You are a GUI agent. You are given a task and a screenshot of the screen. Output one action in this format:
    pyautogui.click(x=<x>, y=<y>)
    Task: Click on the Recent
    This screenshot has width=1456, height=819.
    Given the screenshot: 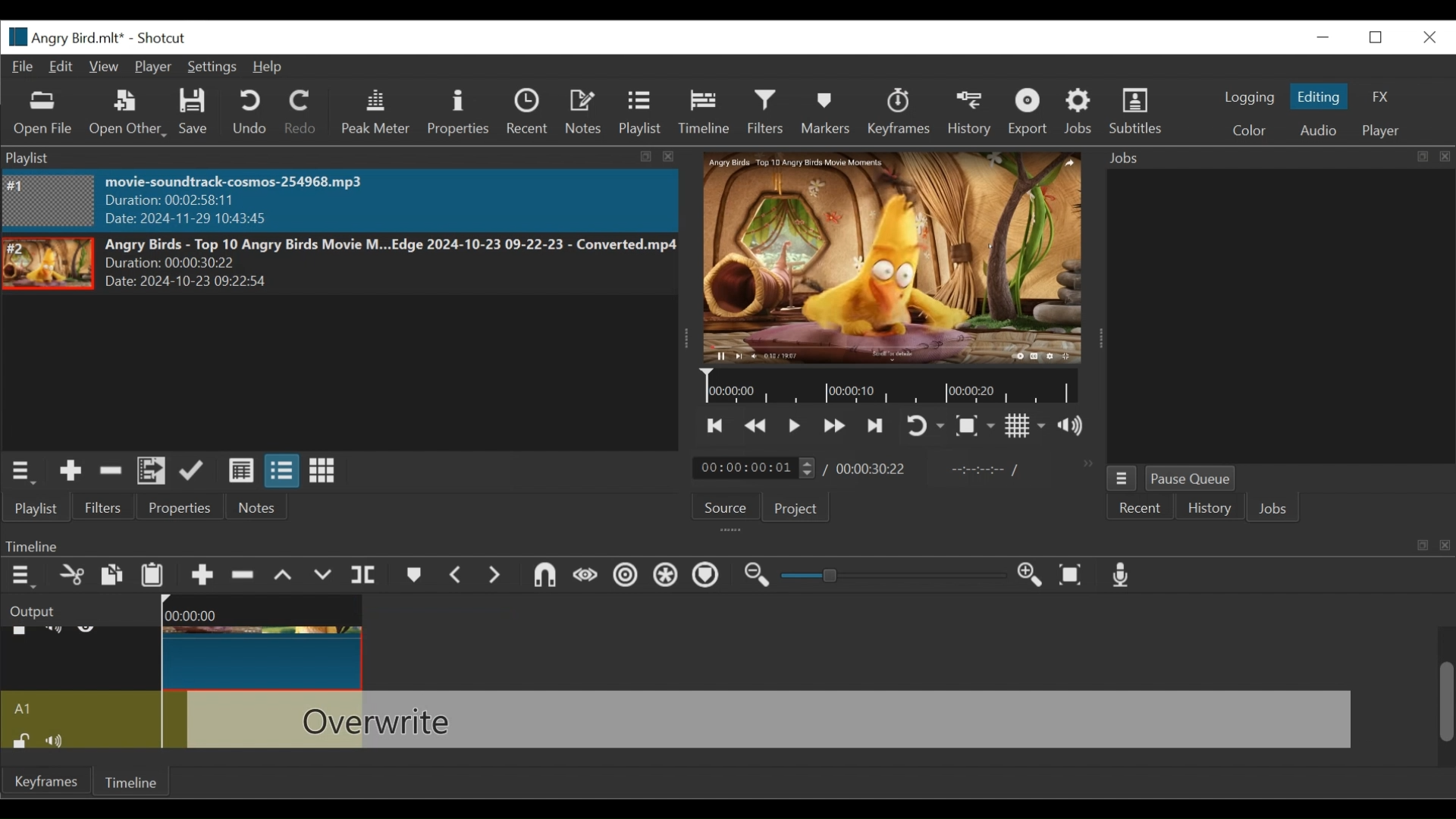 What is the action you would take?
    pyautogui.click(x=527, y=112)
    